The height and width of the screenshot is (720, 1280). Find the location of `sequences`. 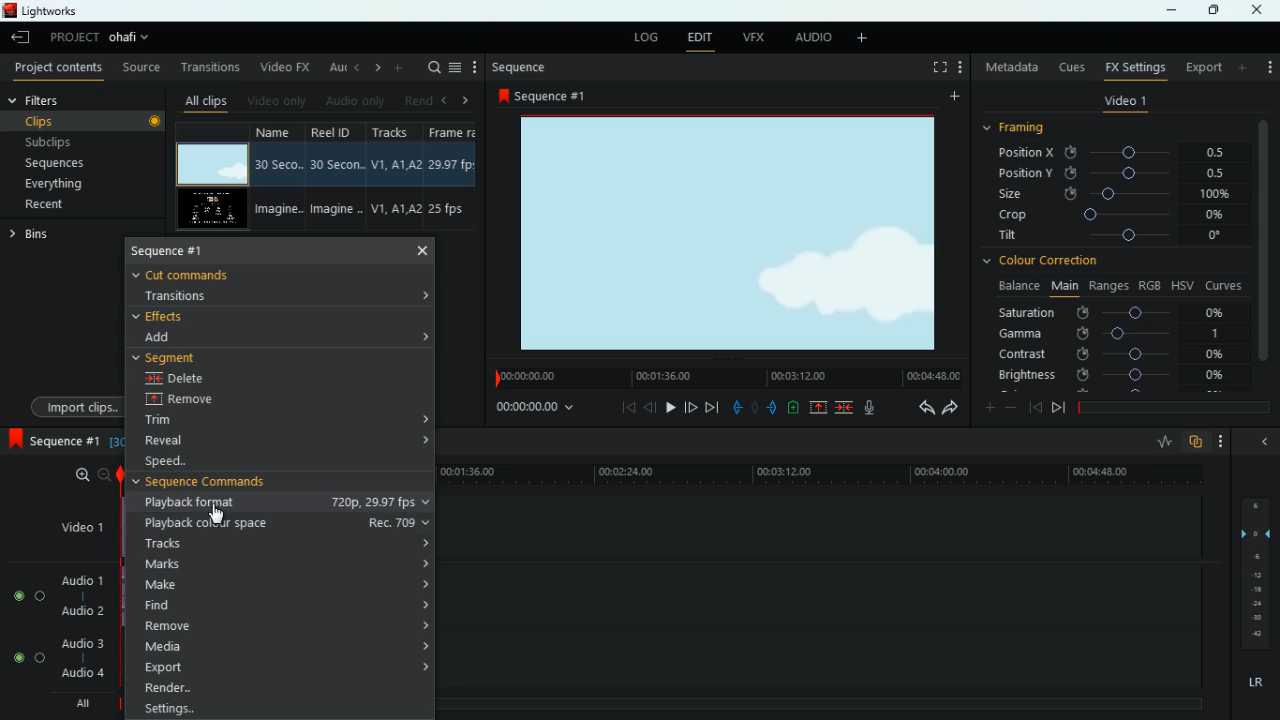

sequences is located at coordinates (70, 162).